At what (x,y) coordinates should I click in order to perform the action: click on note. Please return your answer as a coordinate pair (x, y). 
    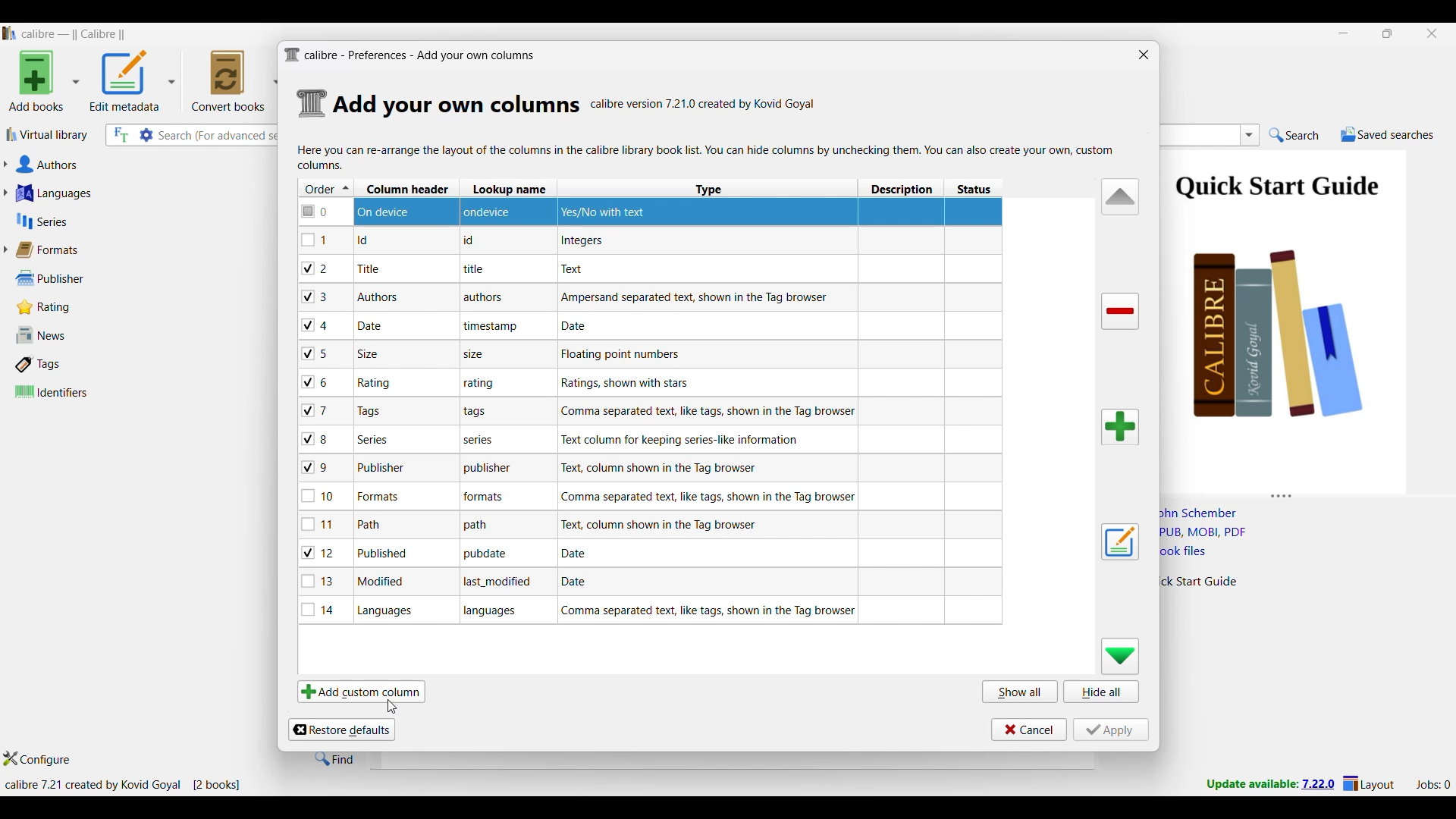
    Looking at the image, I should click on (485, 240).